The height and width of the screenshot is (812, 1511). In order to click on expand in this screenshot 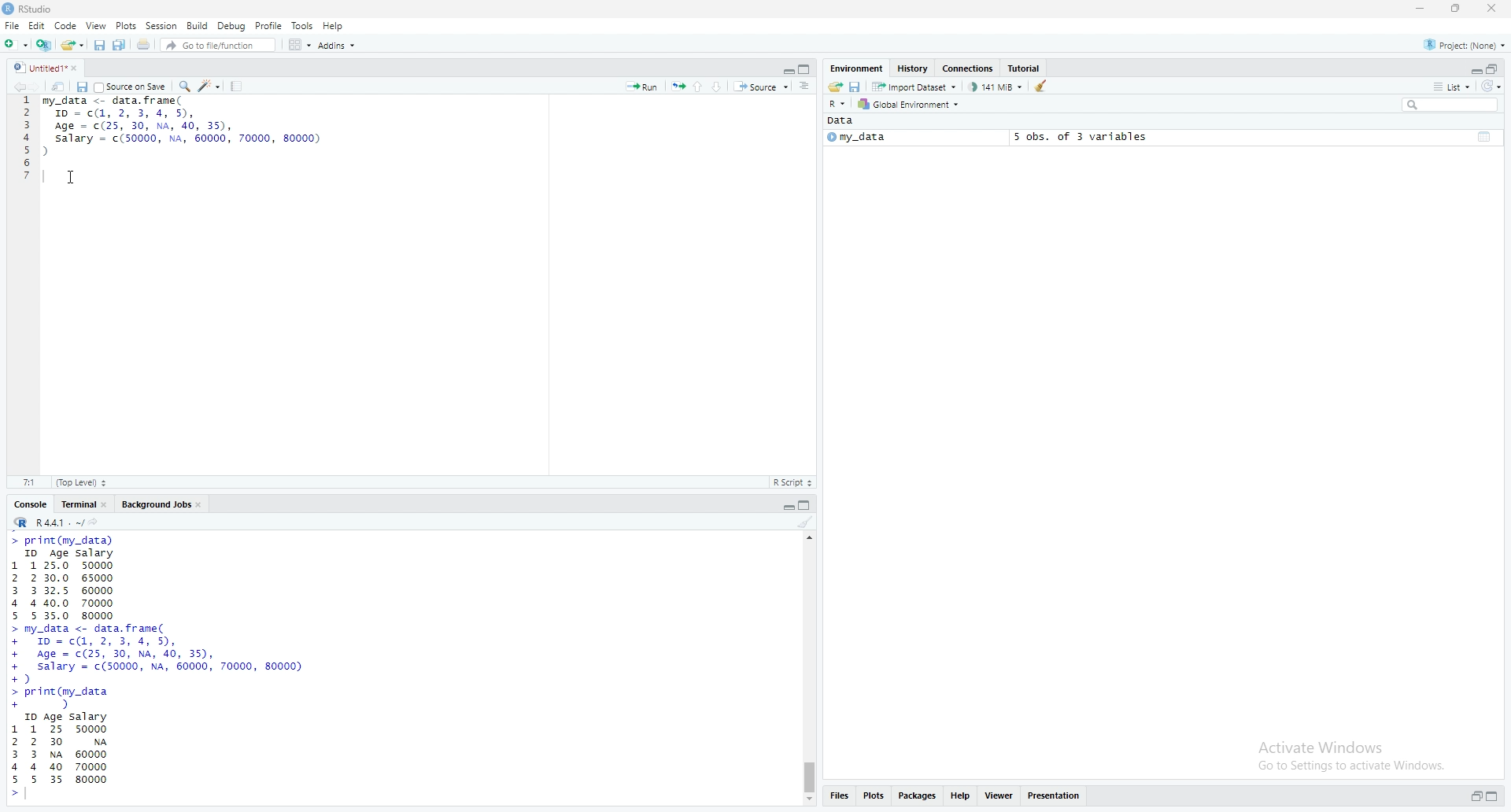, I will do `click(785, 508)`.